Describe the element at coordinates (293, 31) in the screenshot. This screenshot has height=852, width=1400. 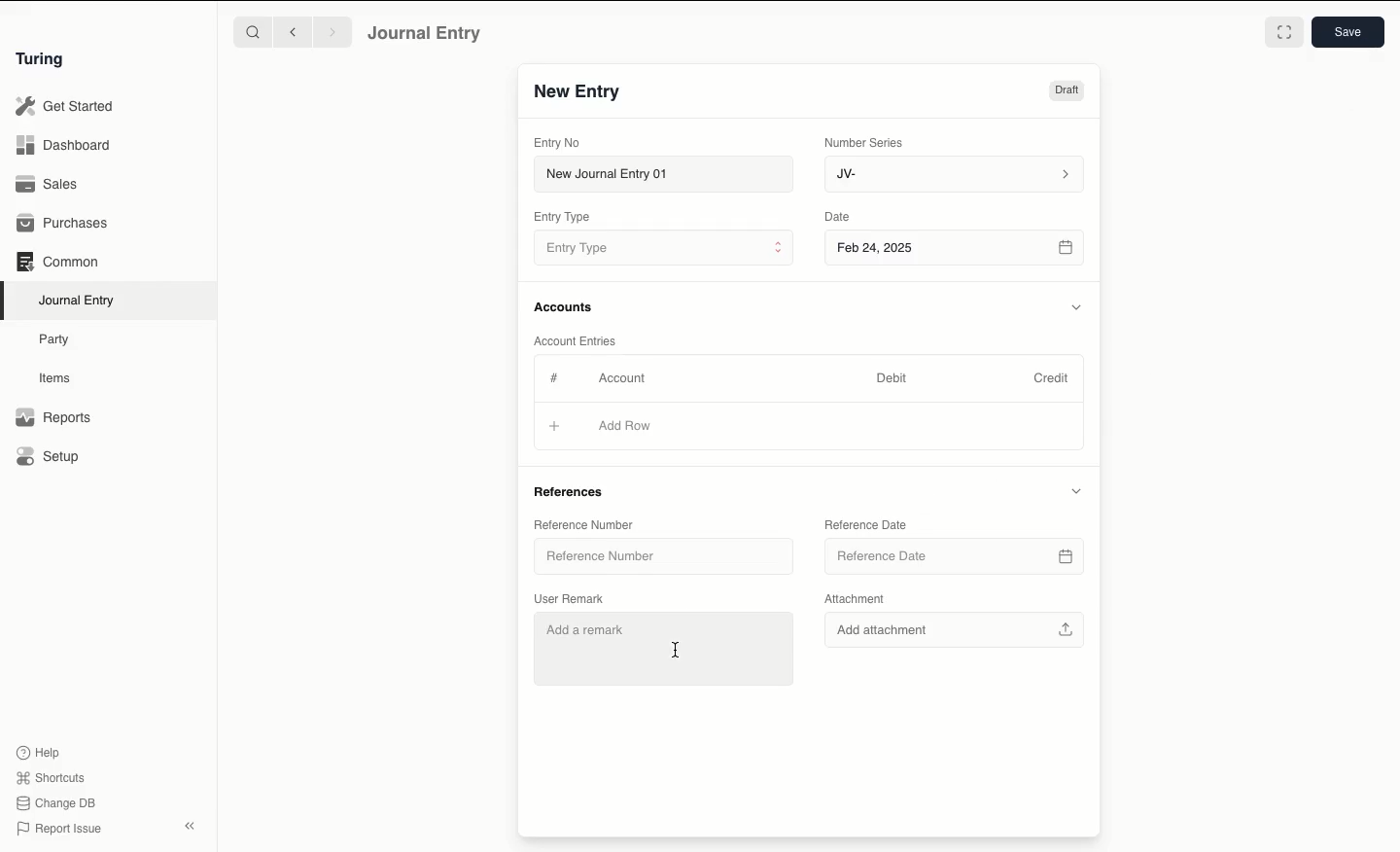
I see `Backward` at that location.